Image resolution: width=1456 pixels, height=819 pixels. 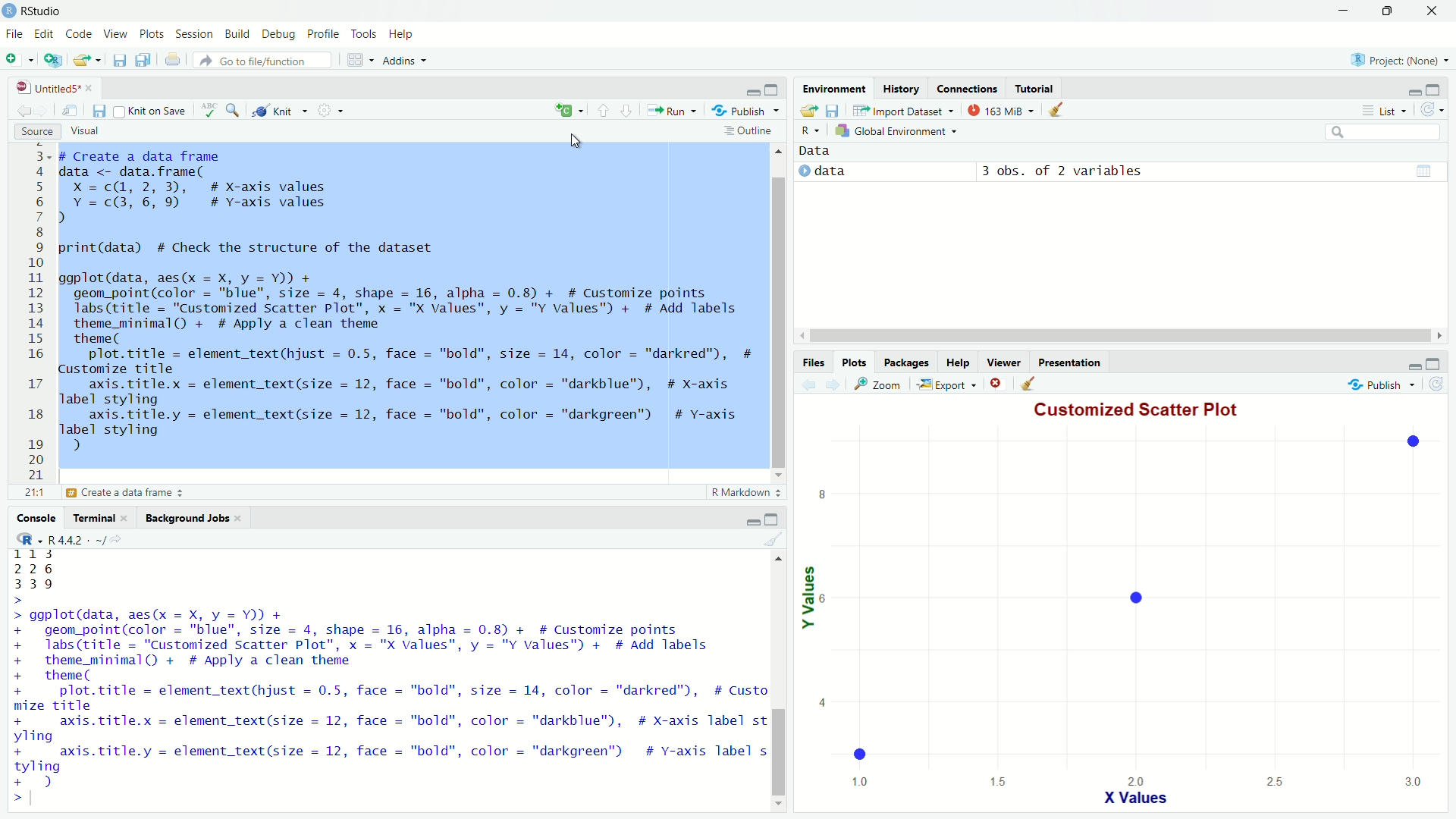 I want to click on Forward, so click(x=831, y=385).